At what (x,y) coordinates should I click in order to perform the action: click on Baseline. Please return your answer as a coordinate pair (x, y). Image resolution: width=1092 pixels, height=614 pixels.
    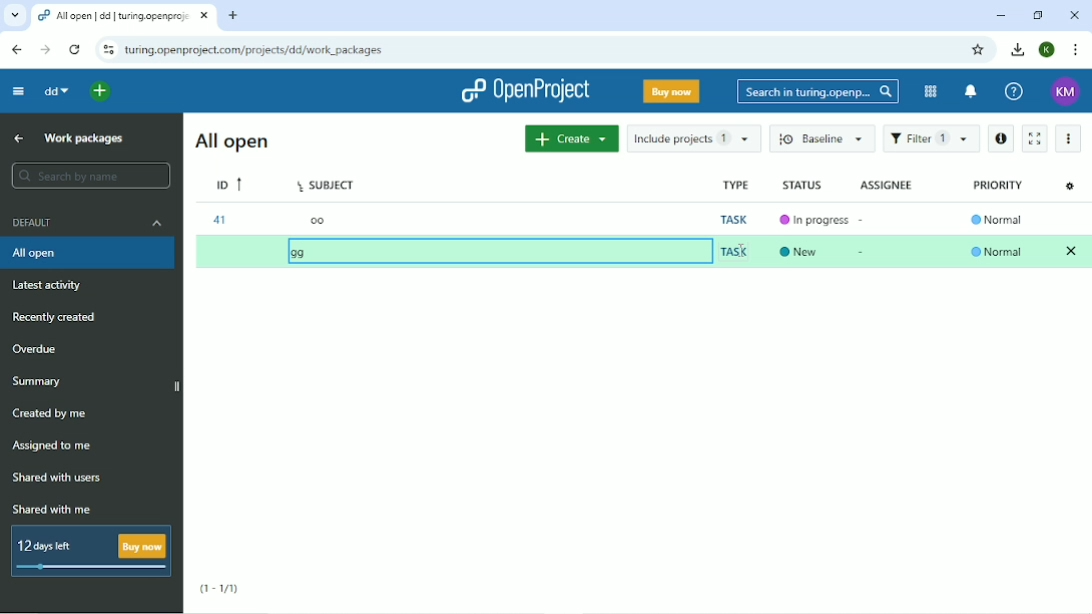
    Looking at the image, I should click on (823, 139).